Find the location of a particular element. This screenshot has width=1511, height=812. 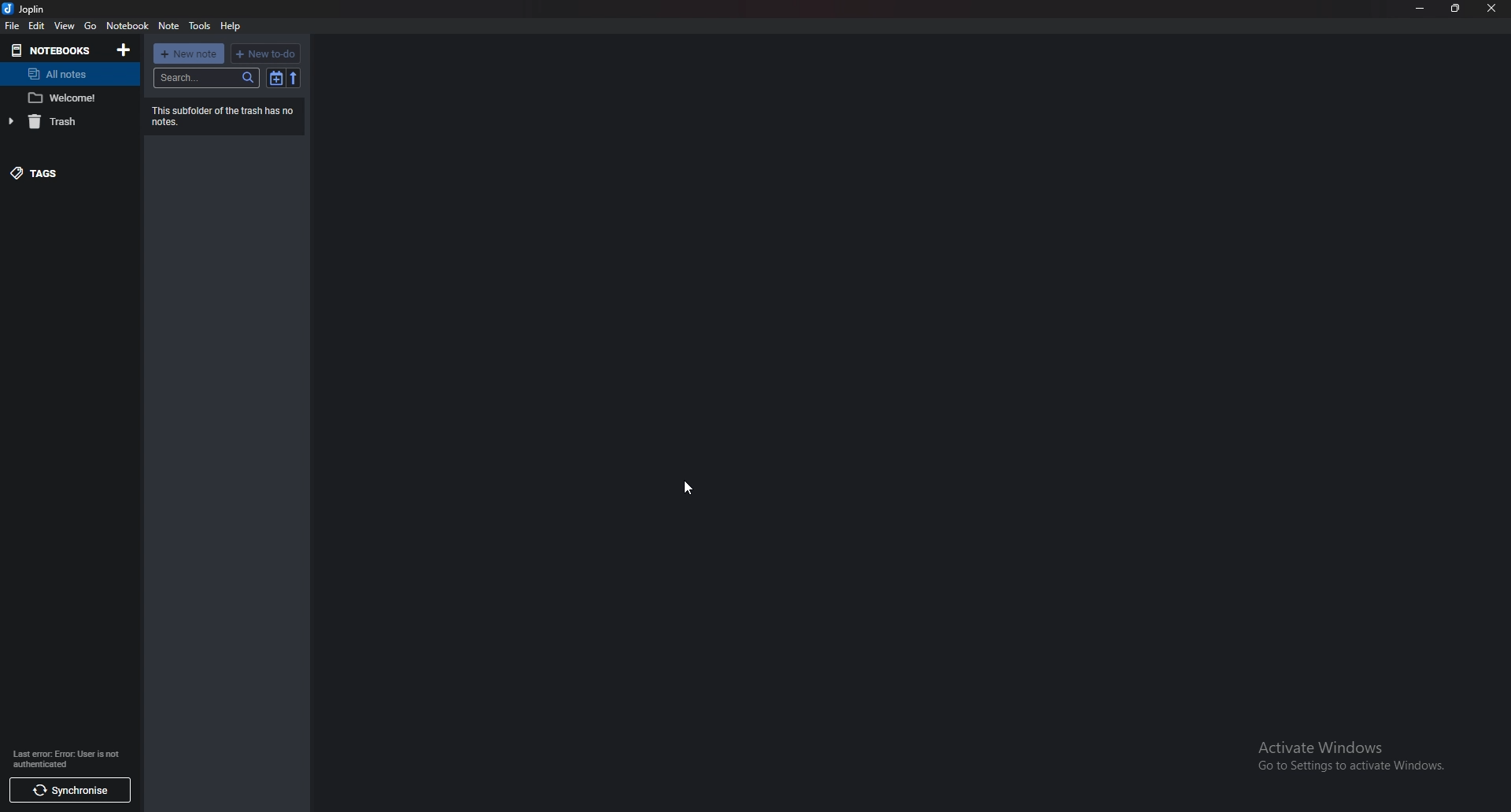

cursor is located at coordinates (687, 487).